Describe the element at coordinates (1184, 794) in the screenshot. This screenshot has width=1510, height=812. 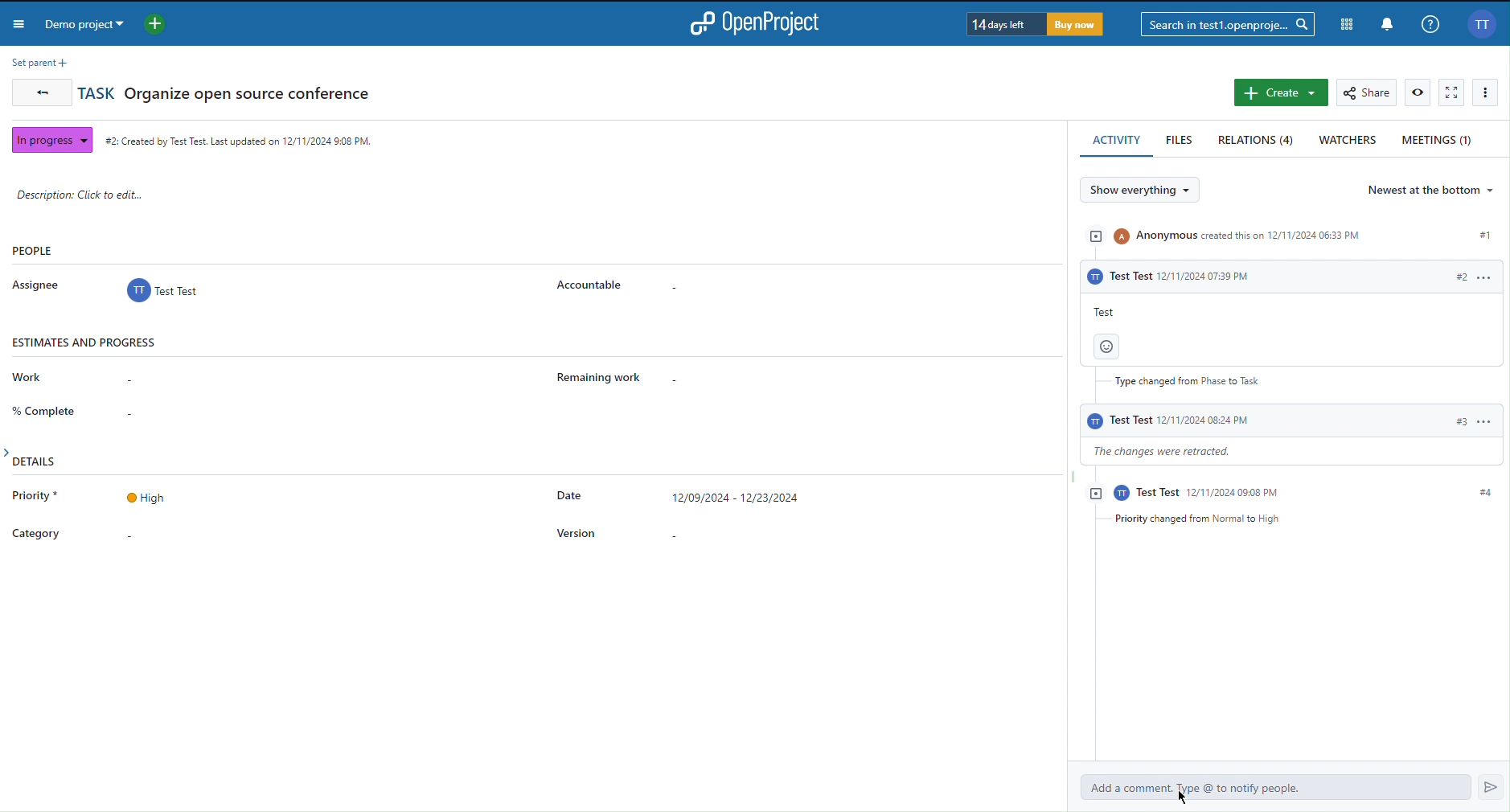
I see `Cursor` at that location.